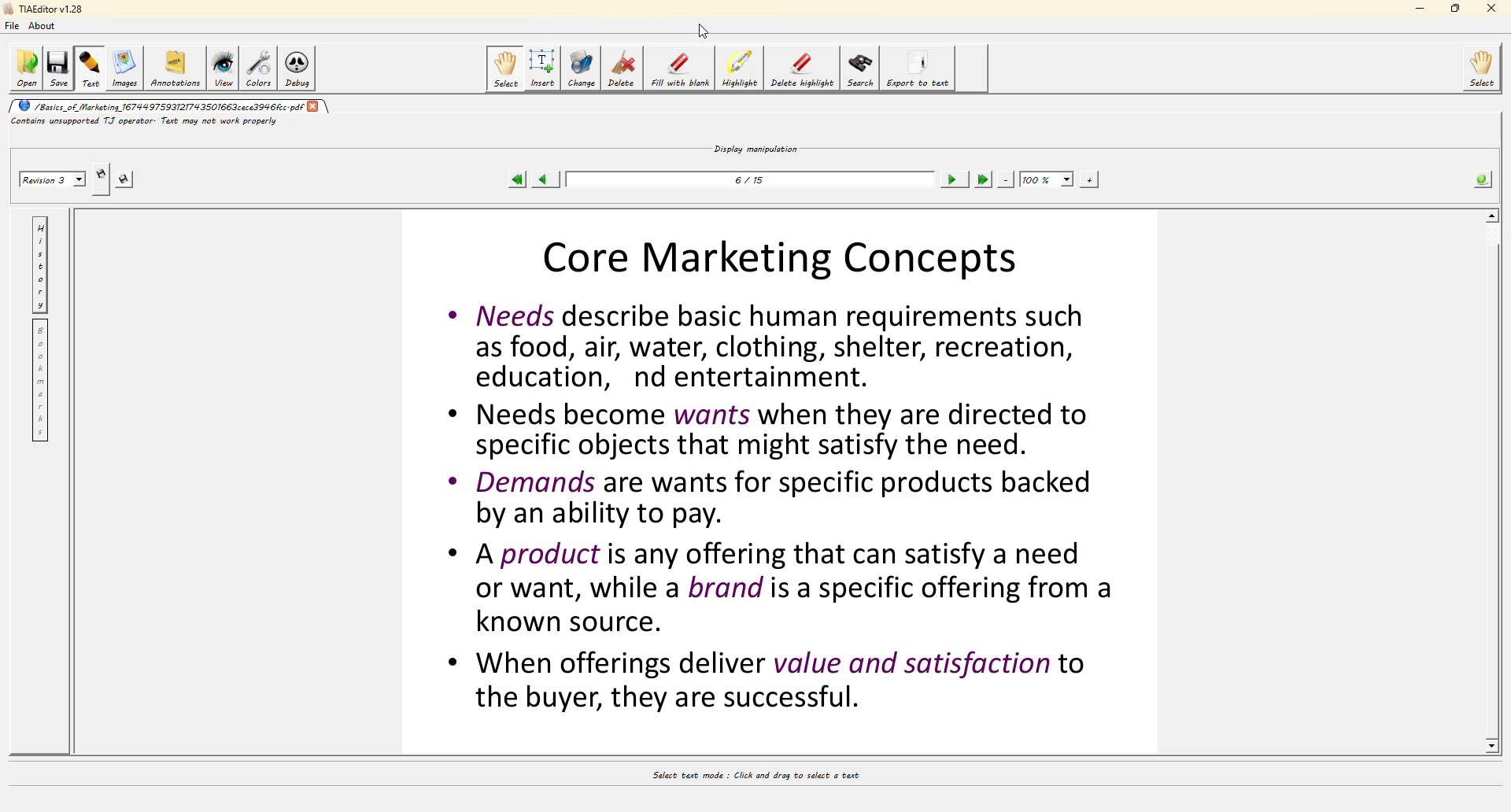  I want to click on TIAEditor v1.28, so click(42, 8).